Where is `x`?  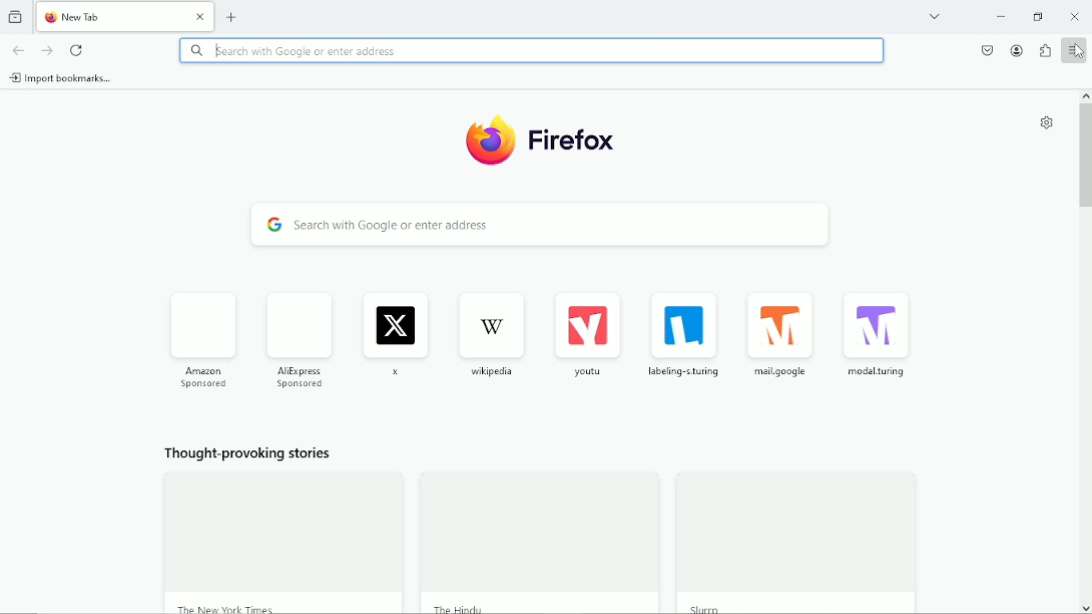
x is located at coordinates (394, 335).